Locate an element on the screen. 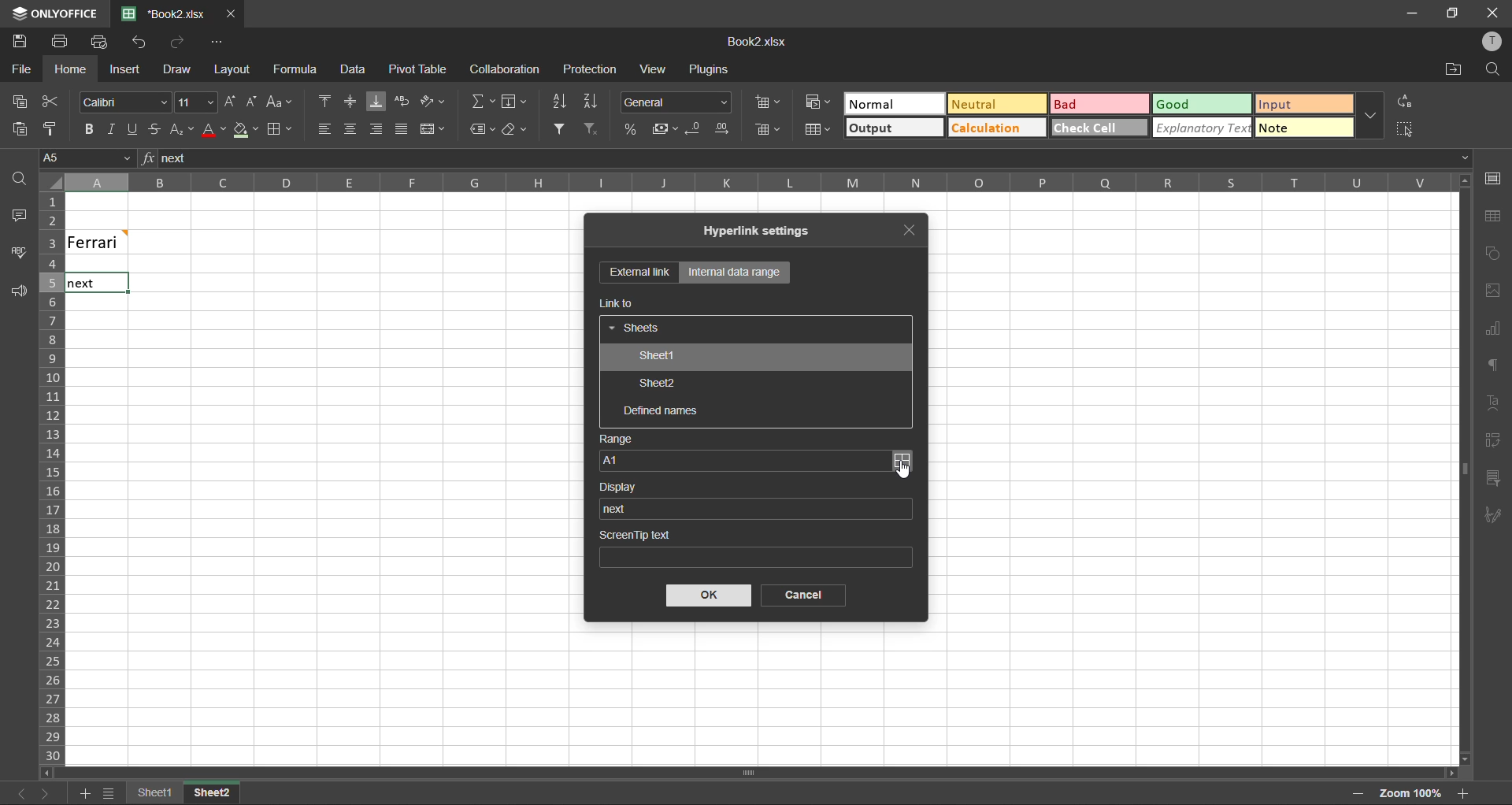  normal is located at coordinates (881, 102).